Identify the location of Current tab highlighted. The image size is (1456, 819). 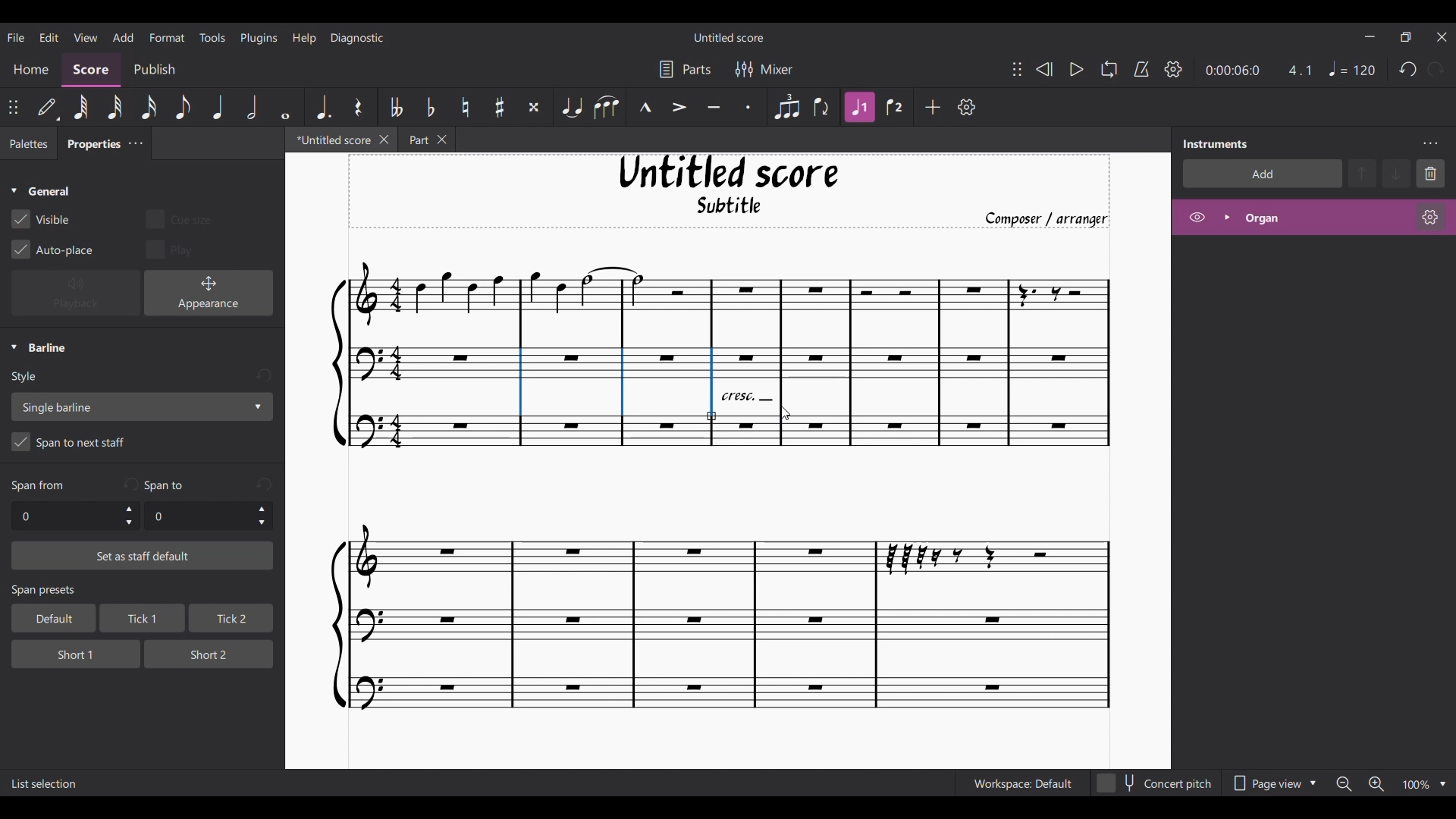
(328, 142).